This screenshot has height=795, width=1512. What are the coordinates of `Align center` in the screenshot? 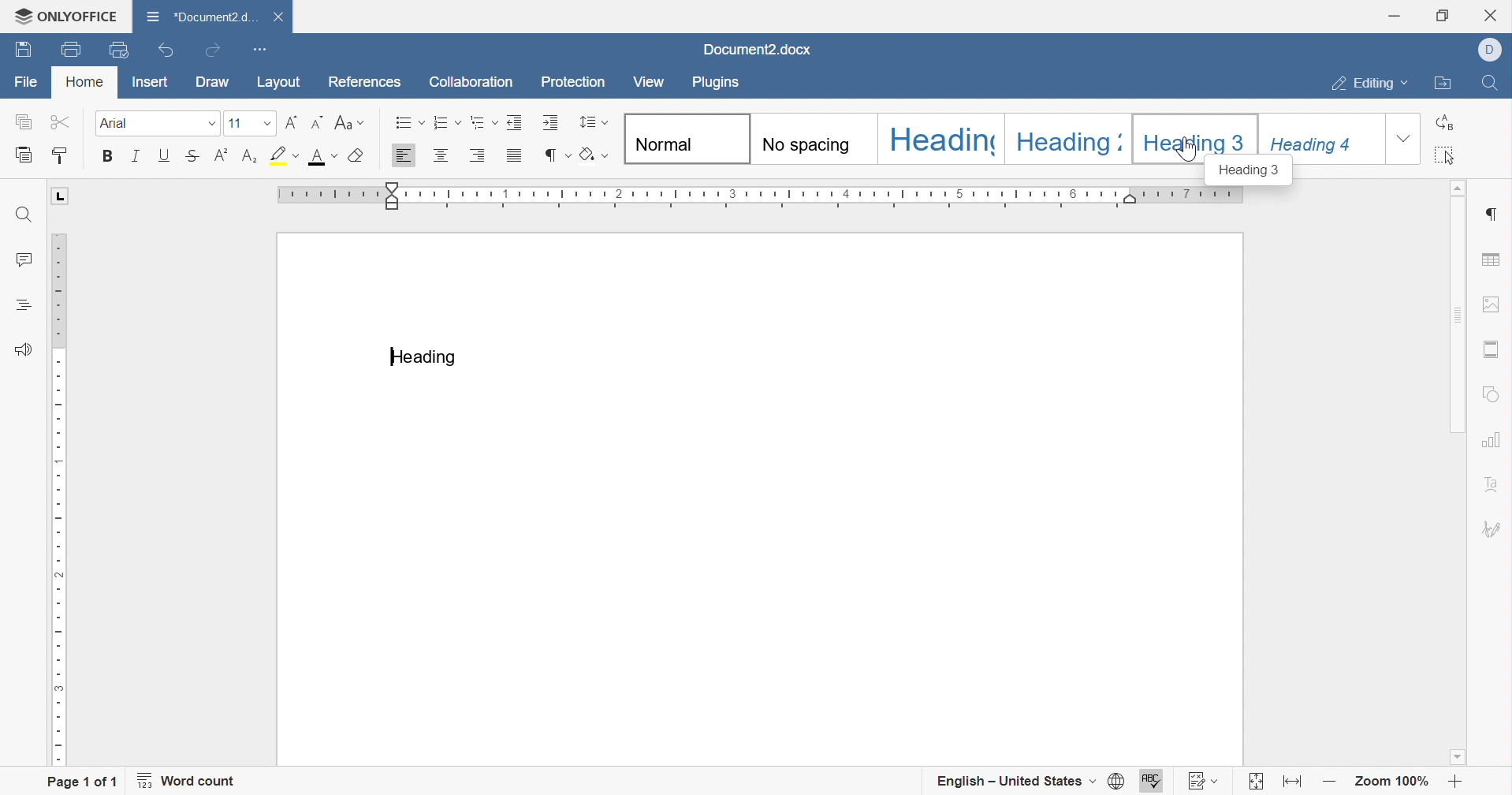 It's located at (441, 158).